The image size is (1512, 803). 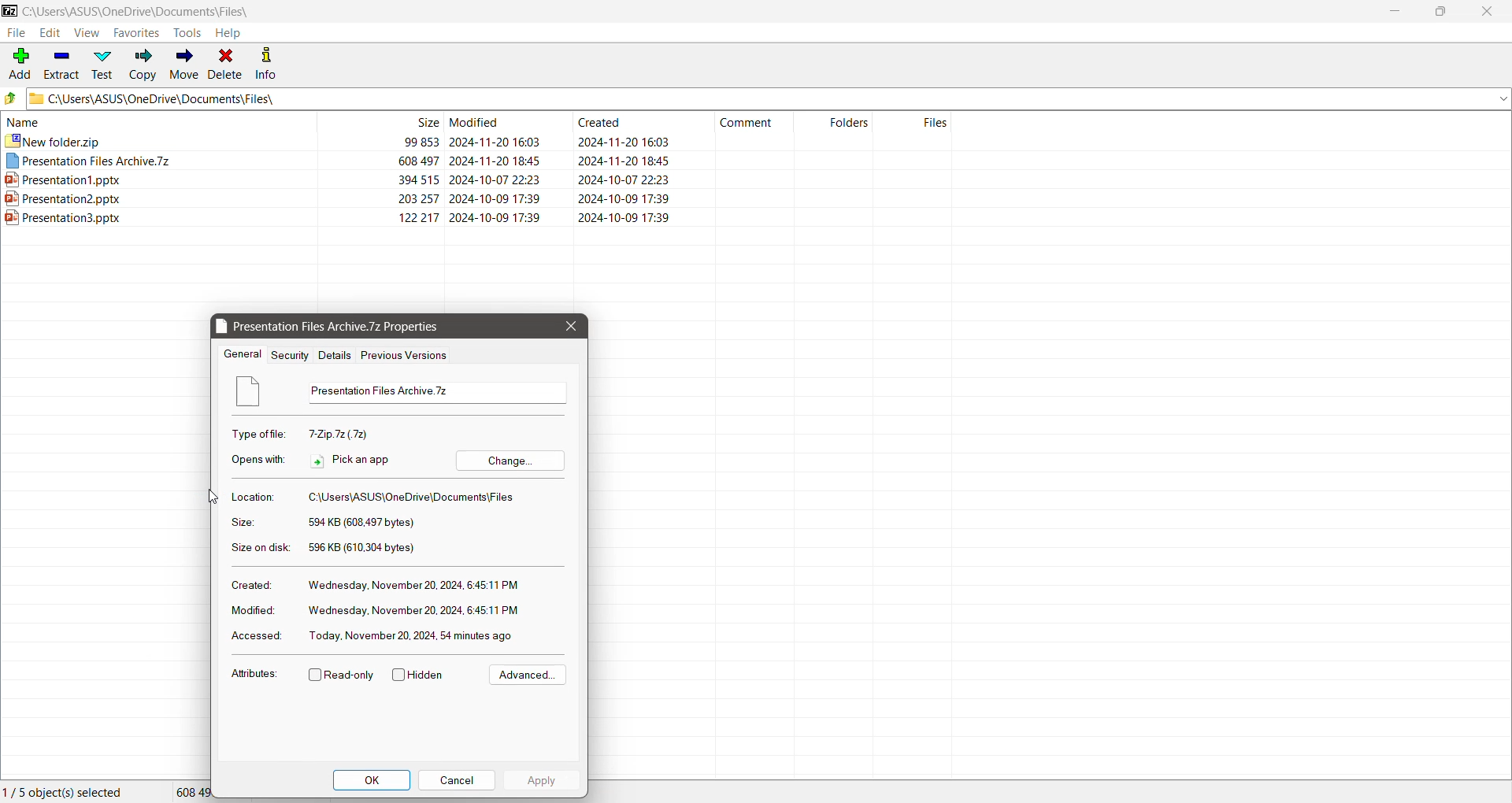 I want to click on folders, so click(x=837, y=121).